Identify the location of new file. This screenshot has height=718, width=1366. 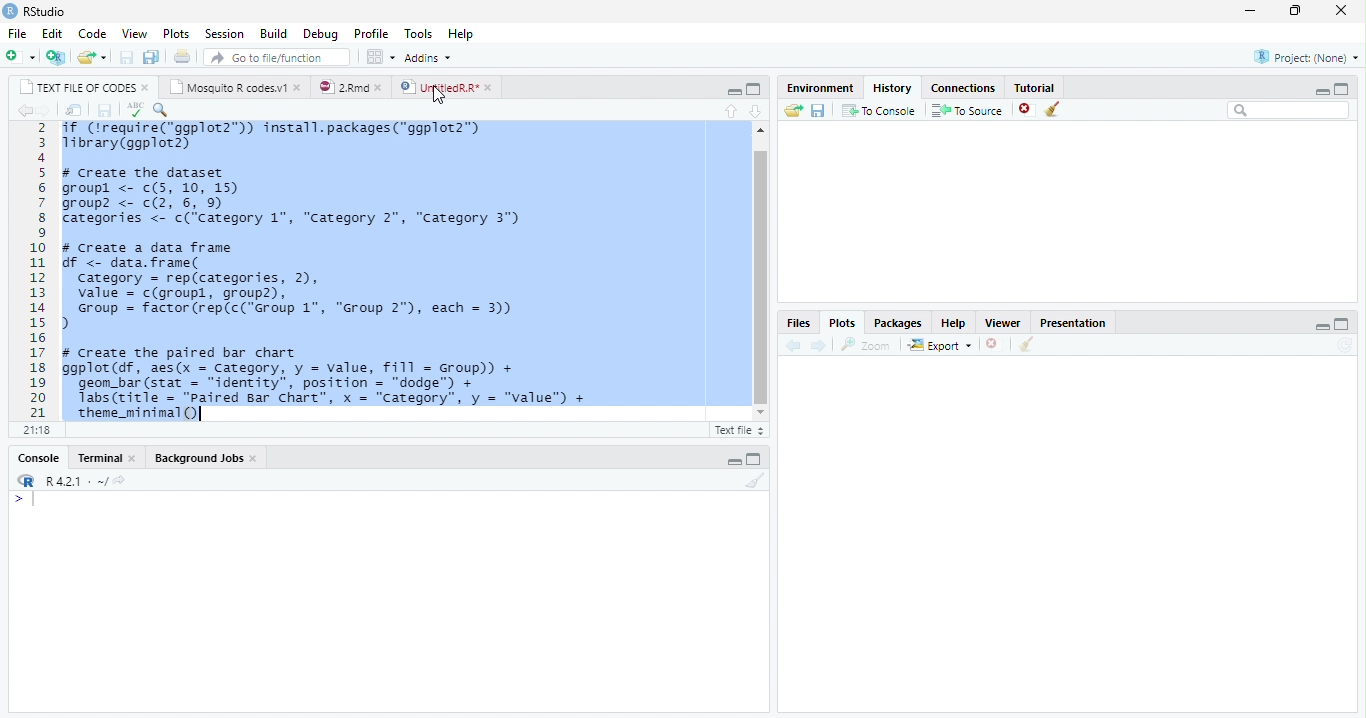
(19, 56).